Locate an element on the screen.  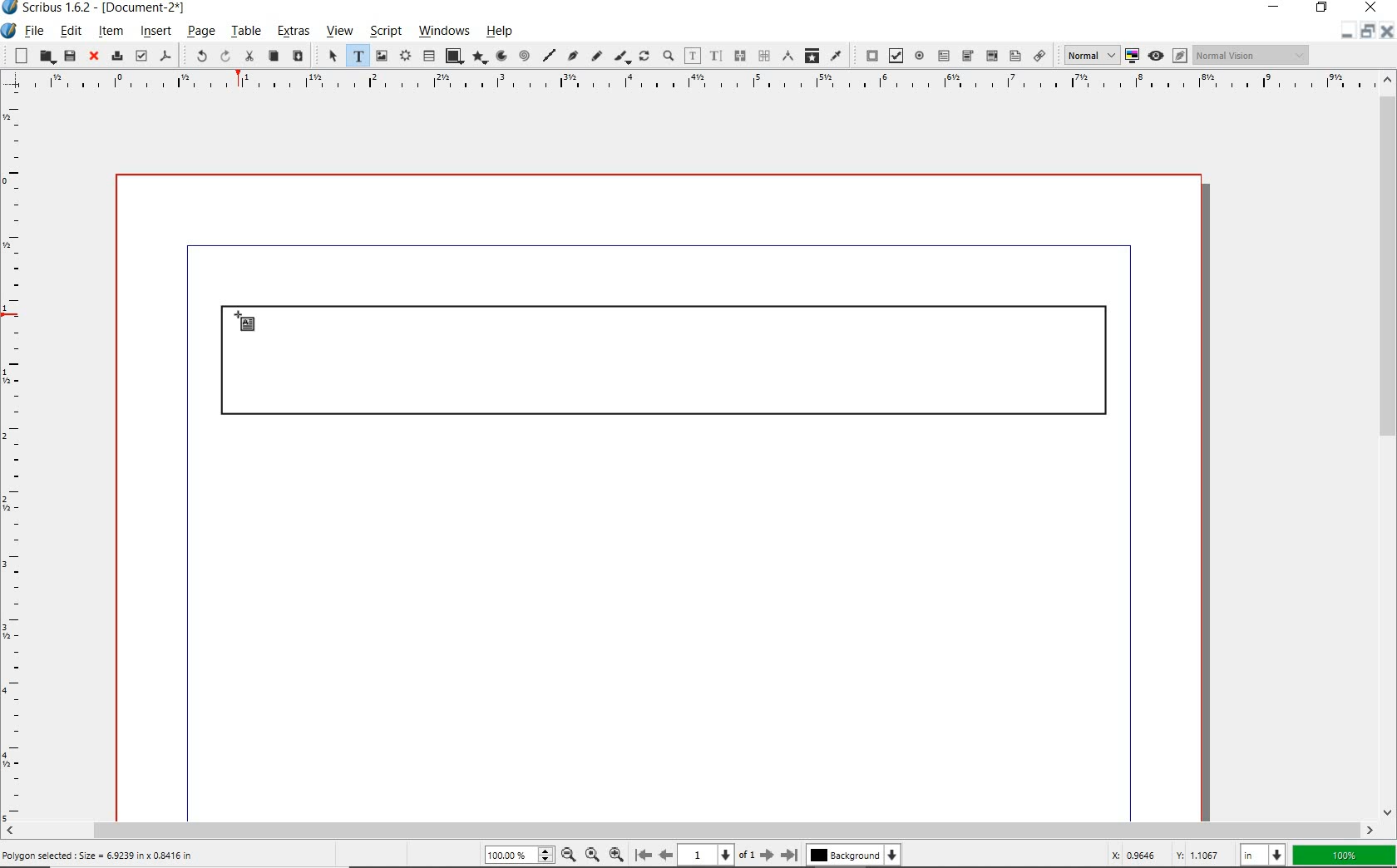
measurements is located at coordinates (786, 57).